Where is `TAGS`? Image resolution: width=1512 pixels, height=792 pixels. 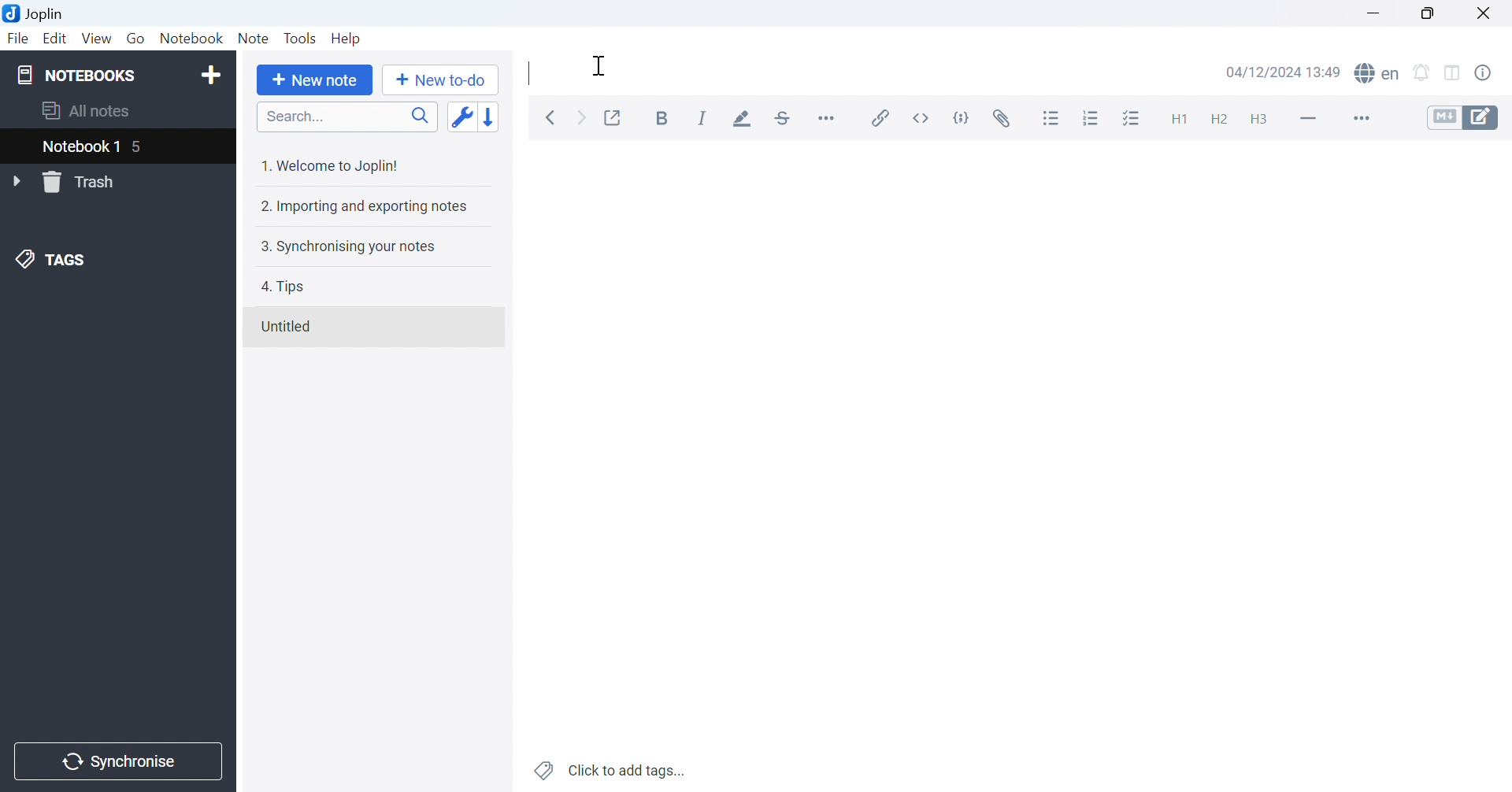 TAGS is located at coordinates (53, 262).